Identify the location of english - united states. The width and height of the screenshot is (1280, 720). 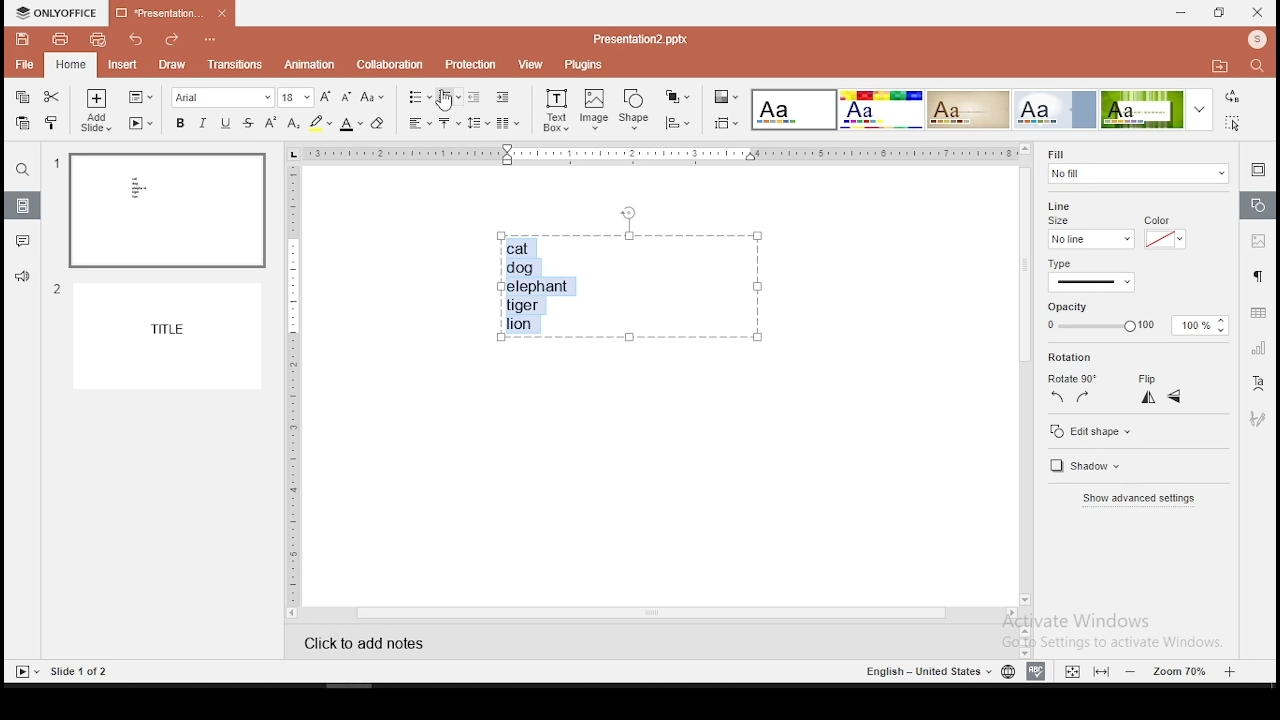
(921, 671).